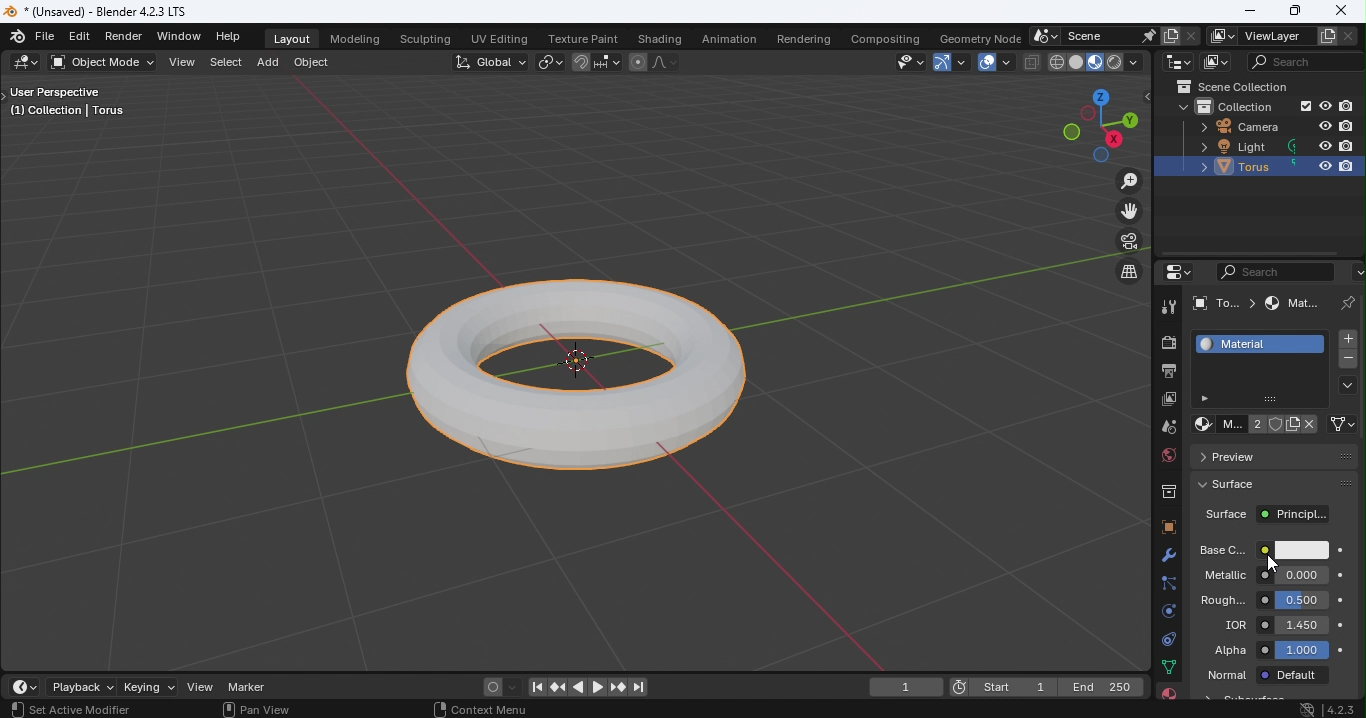 The width and height of the screenshot is (1366, 718). I want to click on Editor type, so click(28, 63).